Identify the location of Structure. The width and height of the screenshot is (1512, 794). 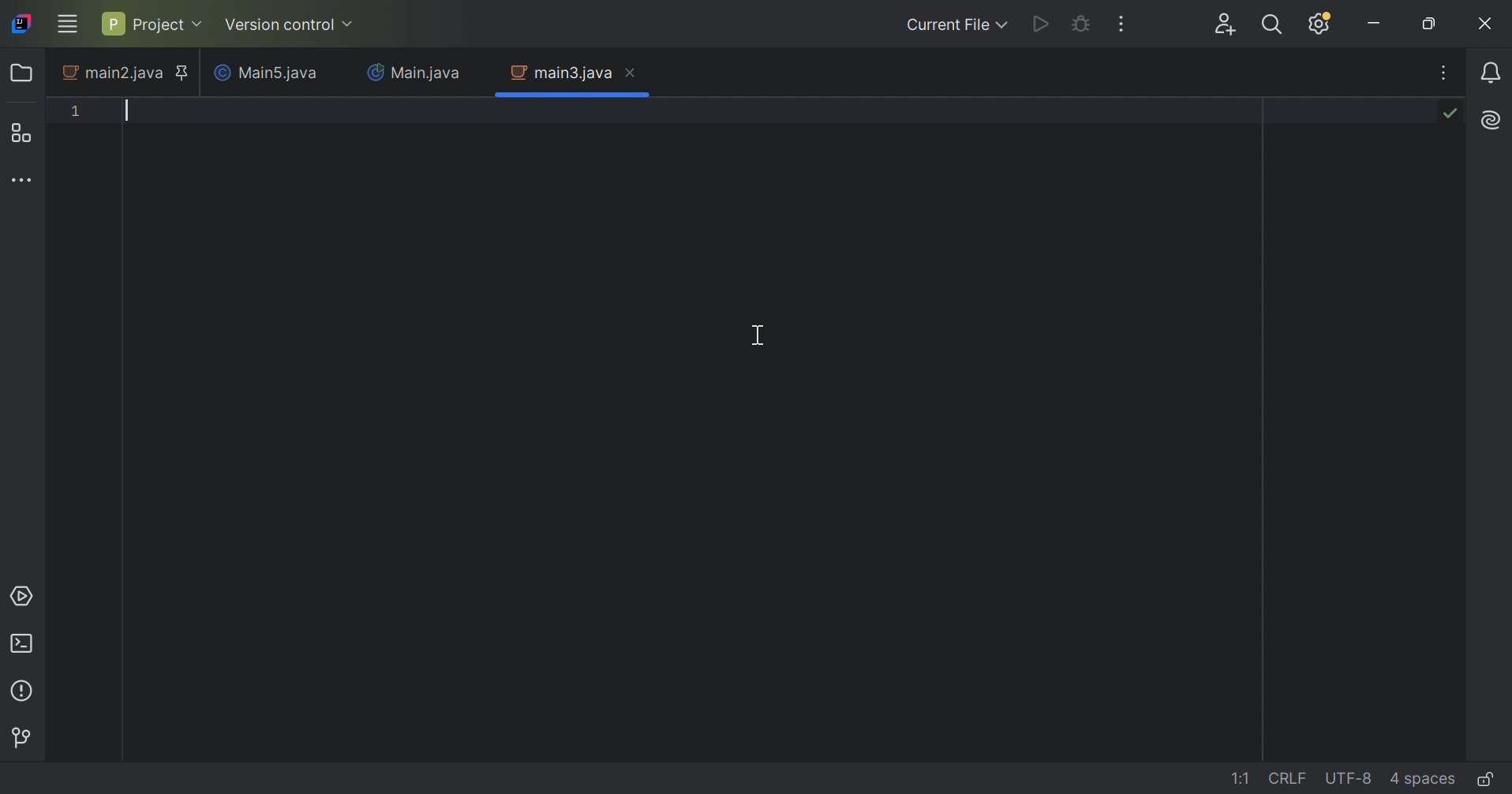
(18, 133).